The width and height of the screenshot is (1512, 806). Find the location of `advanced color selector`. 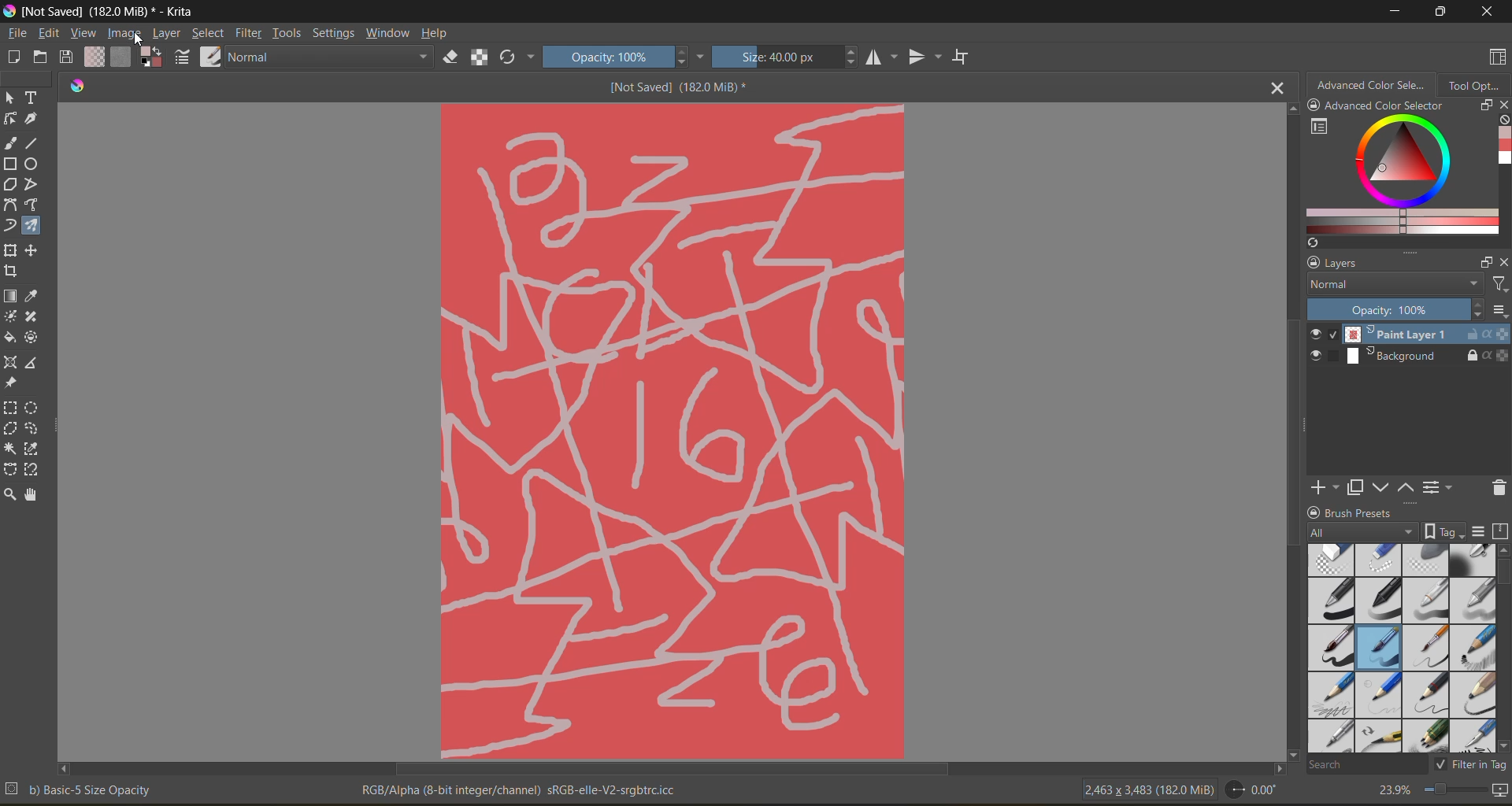

advanced color selector is located at coordinates (1399, 179).